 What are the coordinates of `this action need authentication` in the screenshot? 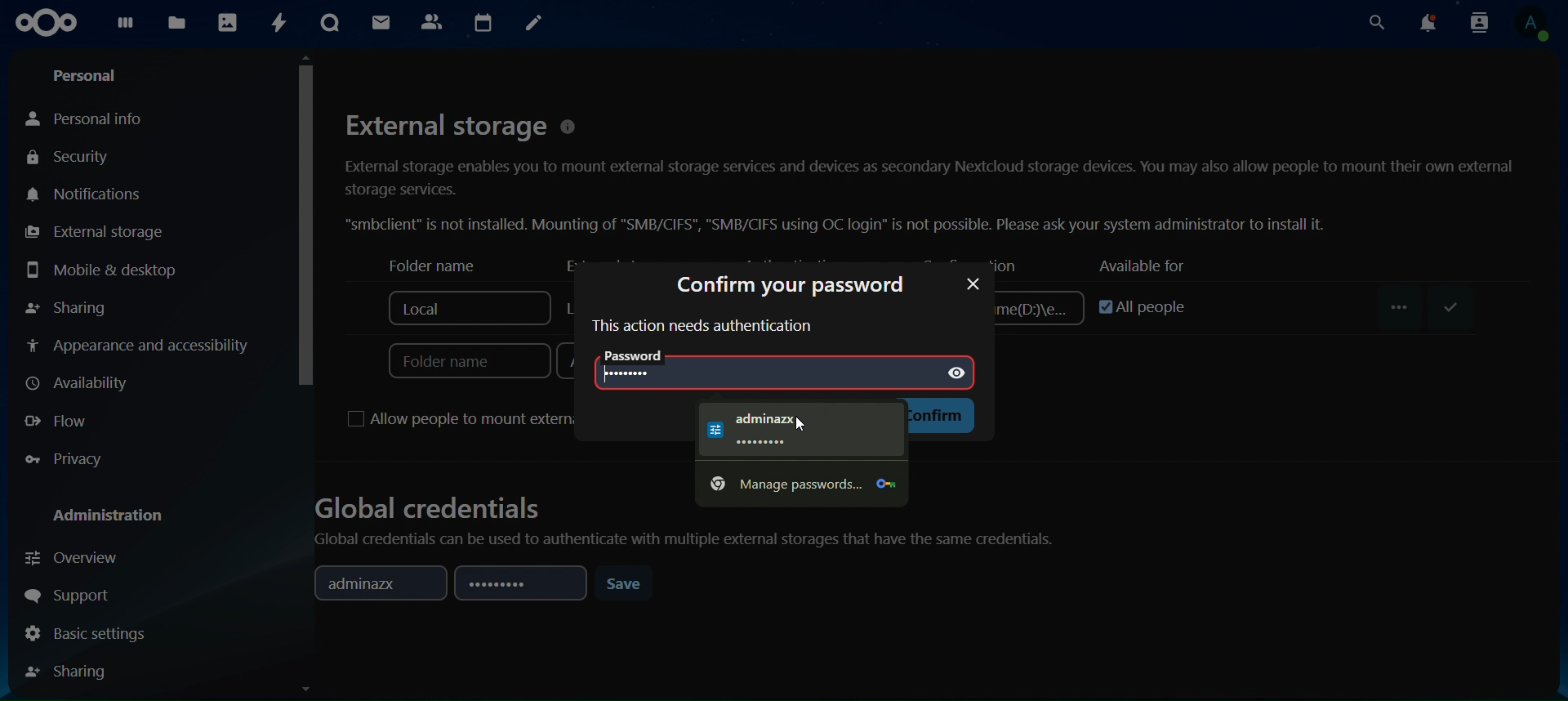 It's located at (702, 327).